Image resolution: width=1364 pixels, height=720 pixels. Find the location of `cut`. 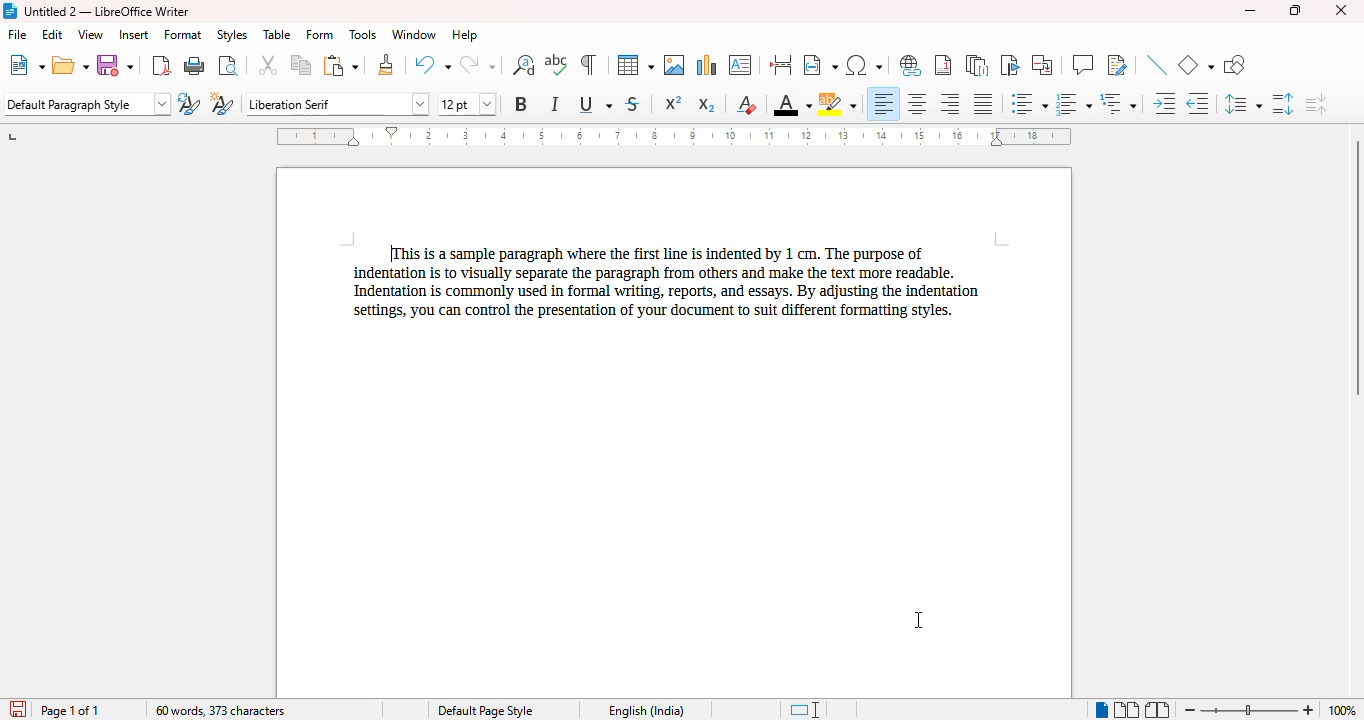

cut is located at coordinates (269, 65).